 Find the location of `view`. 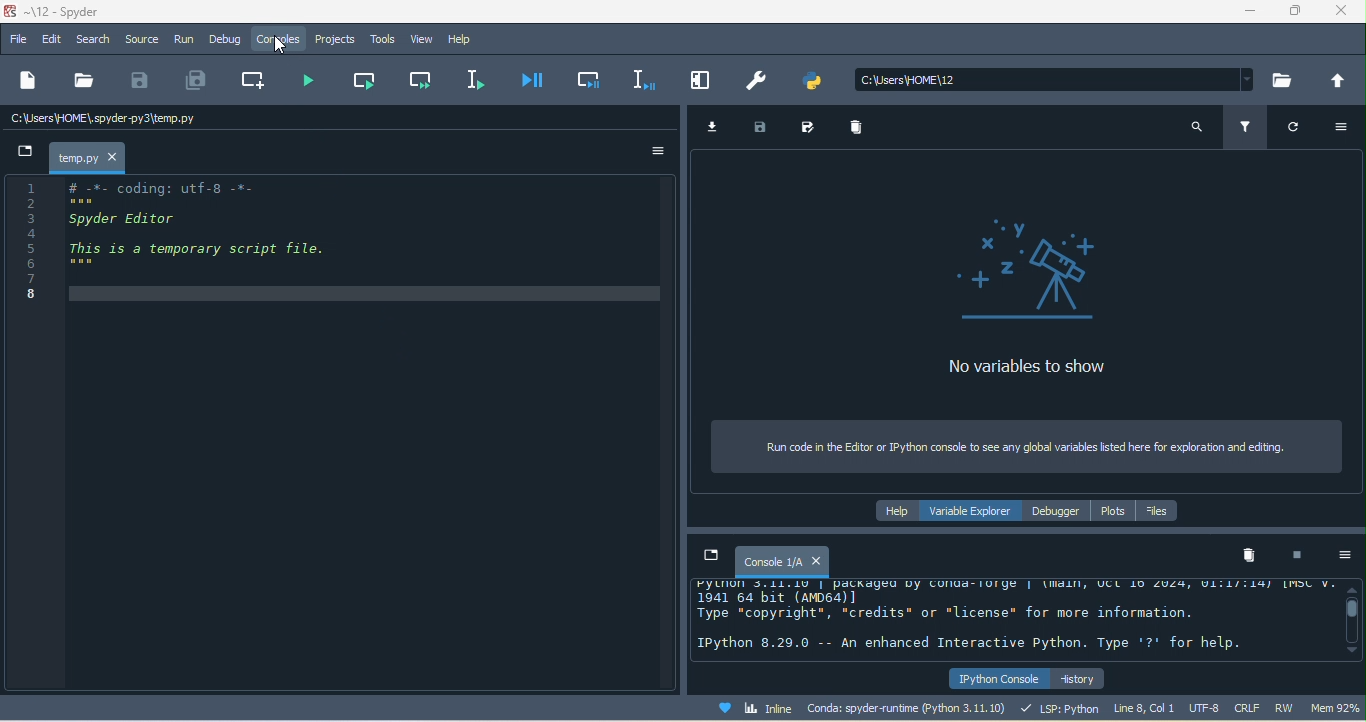

view is located at coordinates (423, 40).